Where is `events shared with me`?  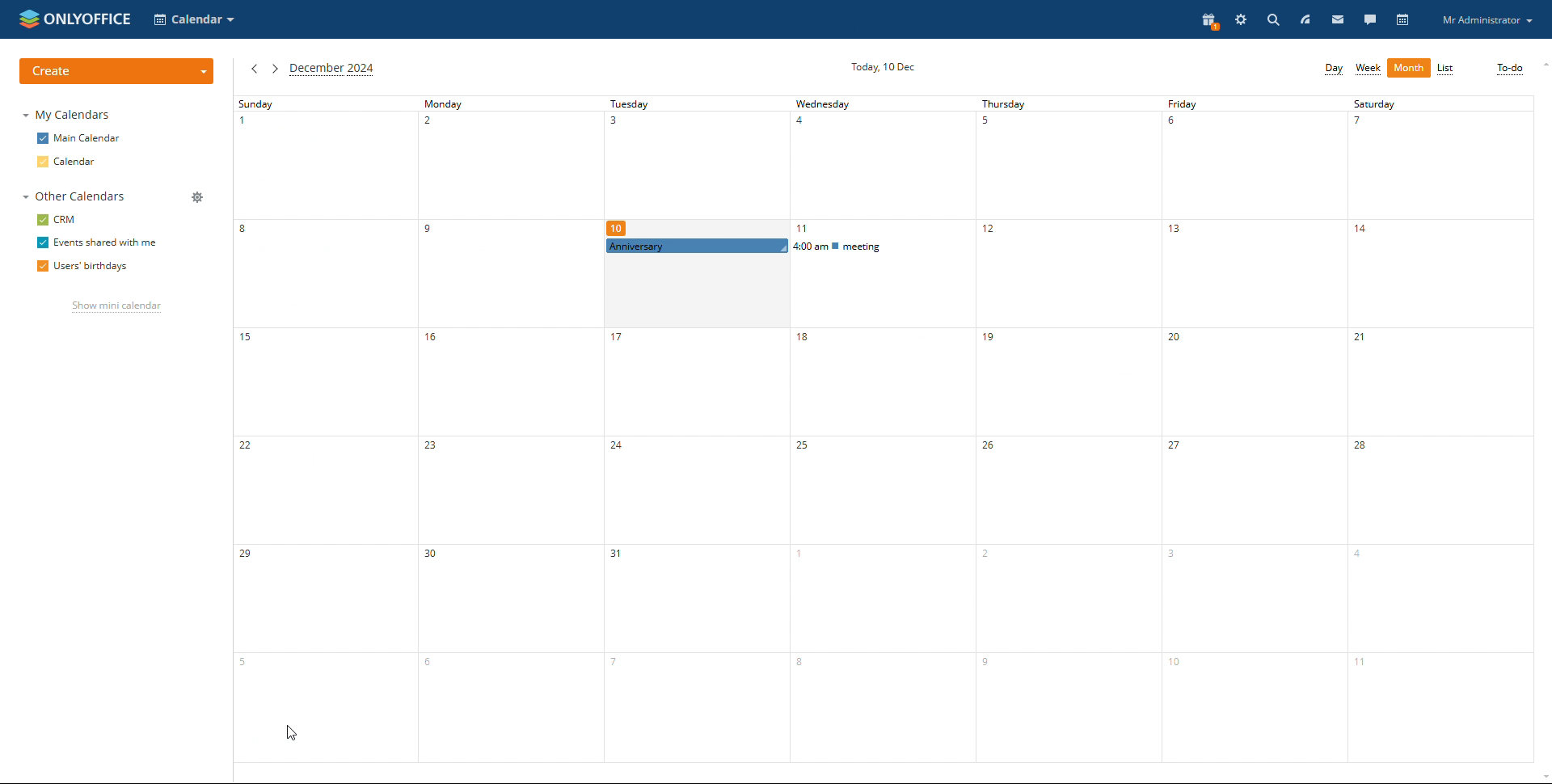
events shared with me is located at coordinates (95, 243).